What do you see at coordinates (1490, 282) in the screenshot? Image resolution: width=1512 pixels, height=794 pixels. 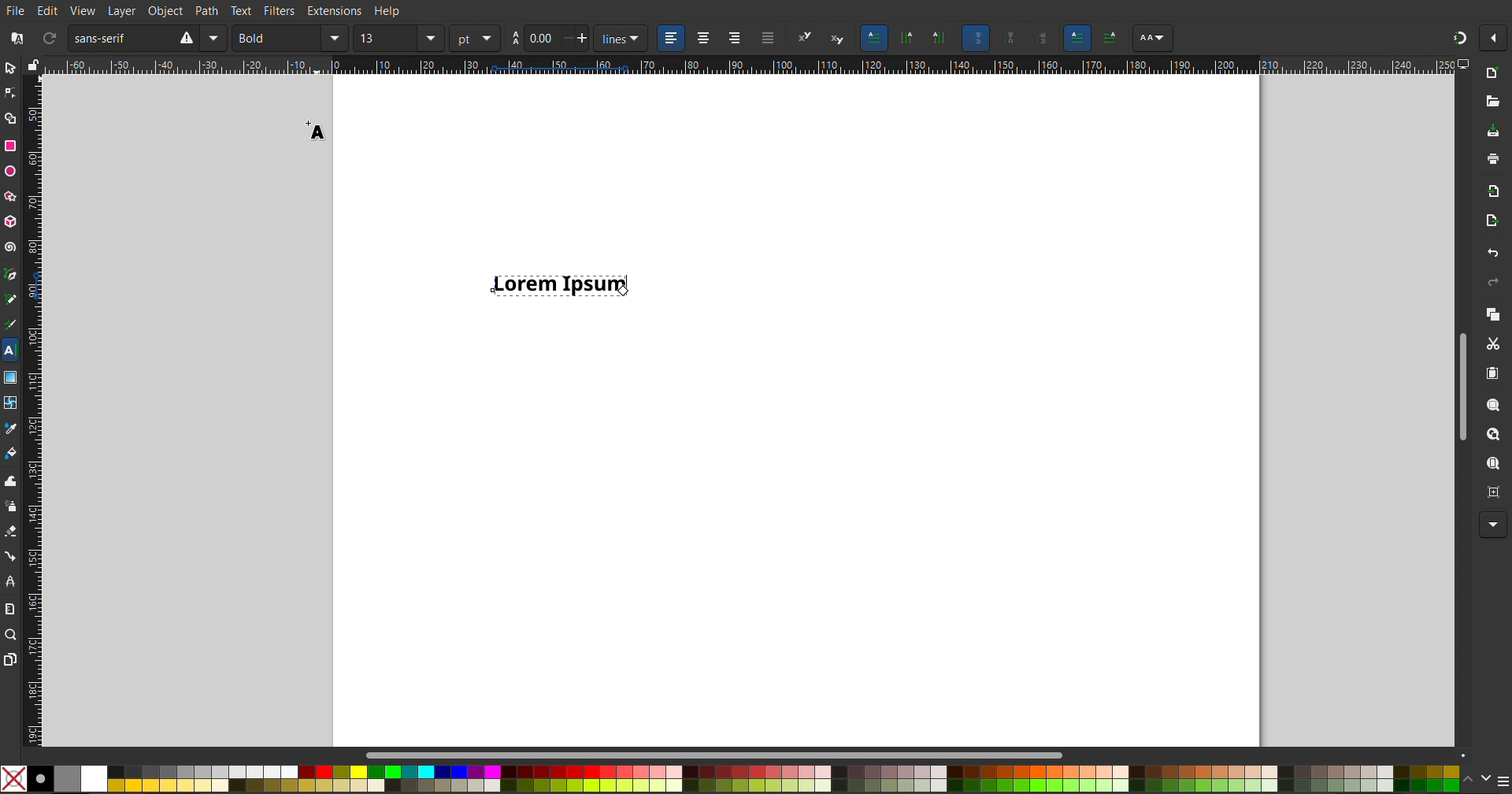 I see `Redo` at bounding box center [1490, 282].